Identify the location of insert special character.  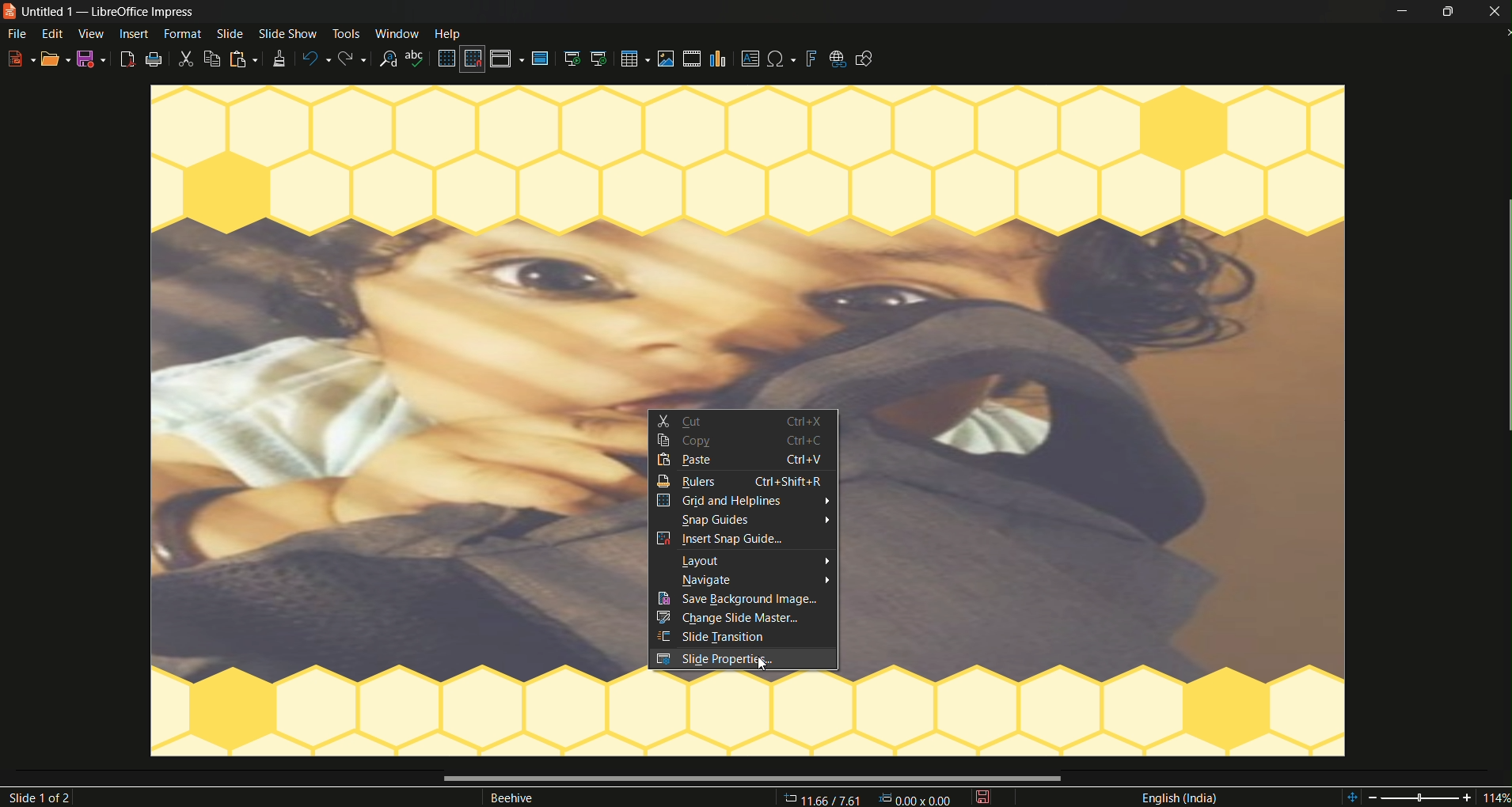
(783, 59).